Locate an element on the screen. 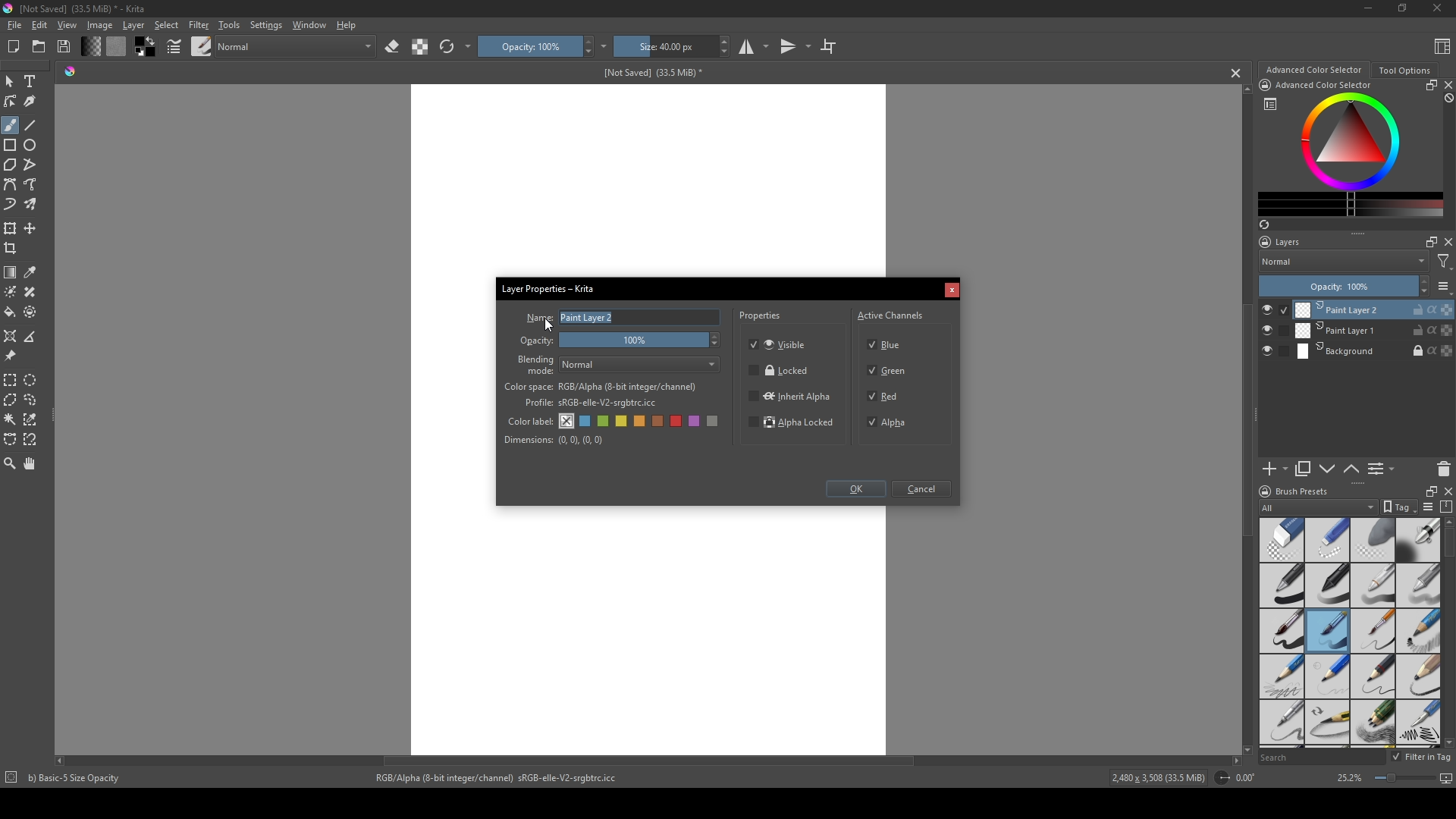 This screenshot has height=819, width=1456. Cancel is located at coordinates (952, 291).